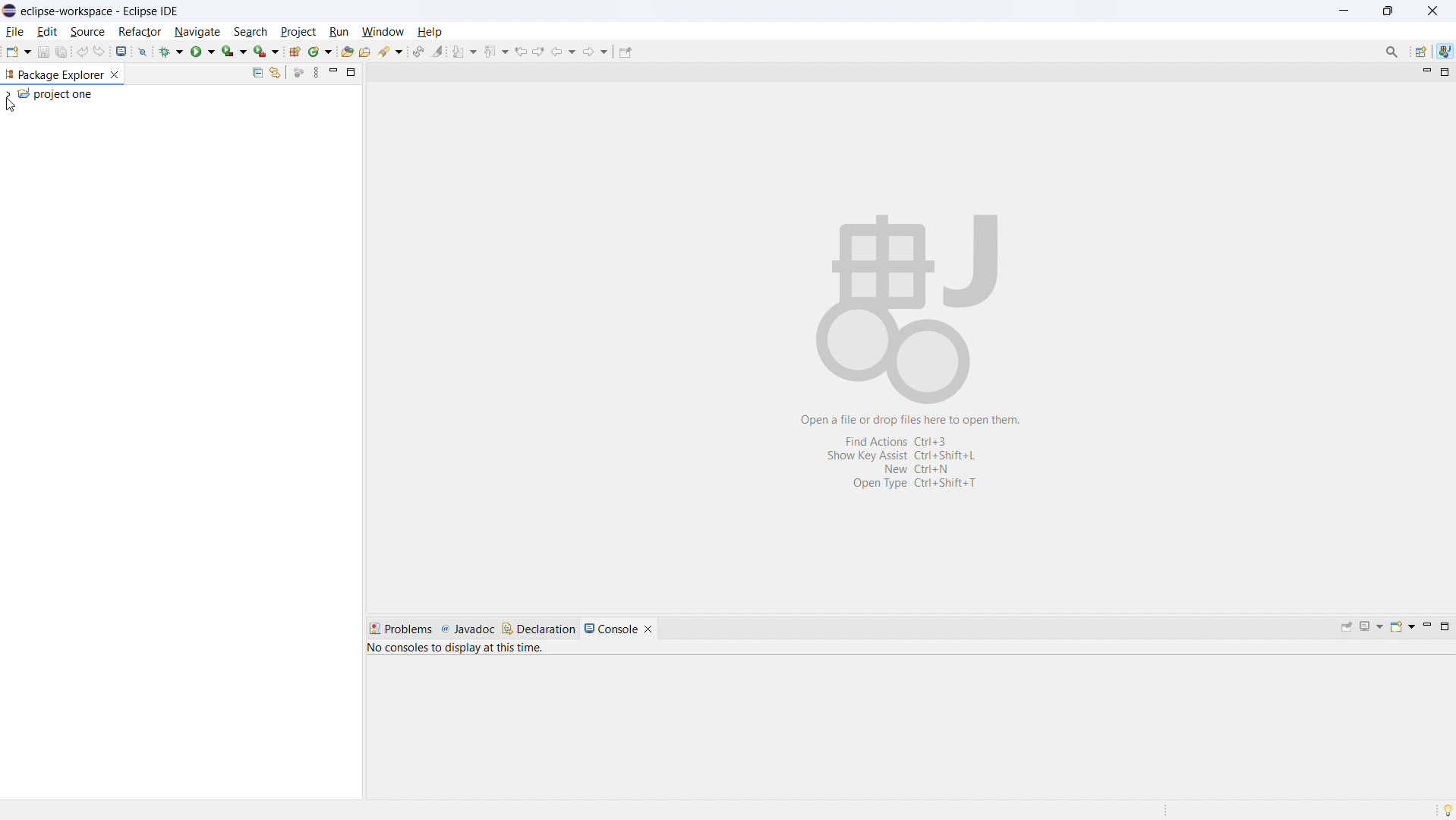  Describe the element at coordinates (626, 52) in the screenshot. I see `pin editor` at that location.